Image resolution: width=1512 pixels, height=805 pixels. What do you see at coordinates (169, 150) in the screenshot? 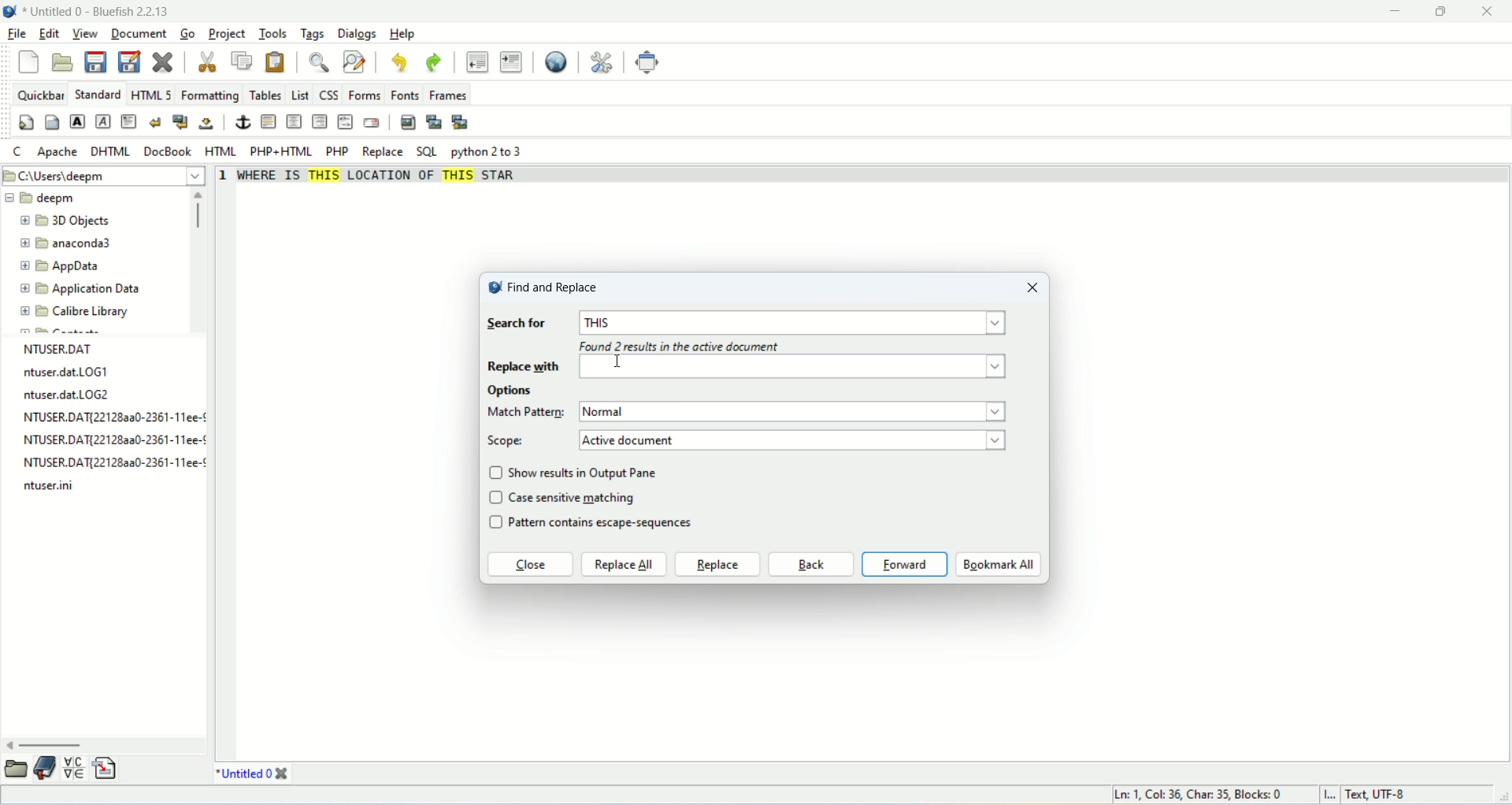
I see `DocBook` at bounding box center [169, 150].